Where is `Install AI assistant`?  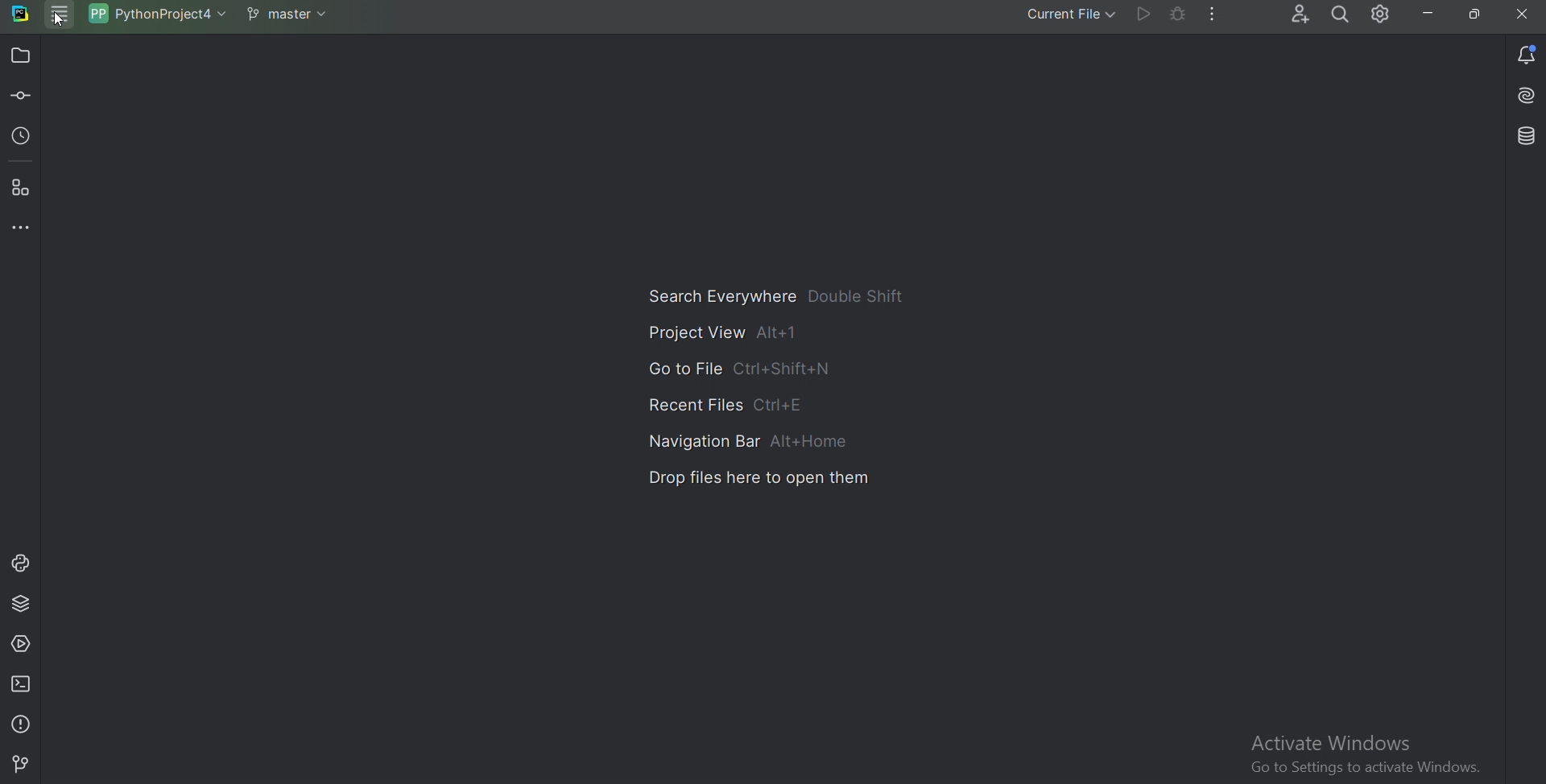
Install AI assistant is located at coordinates (1519, 95).